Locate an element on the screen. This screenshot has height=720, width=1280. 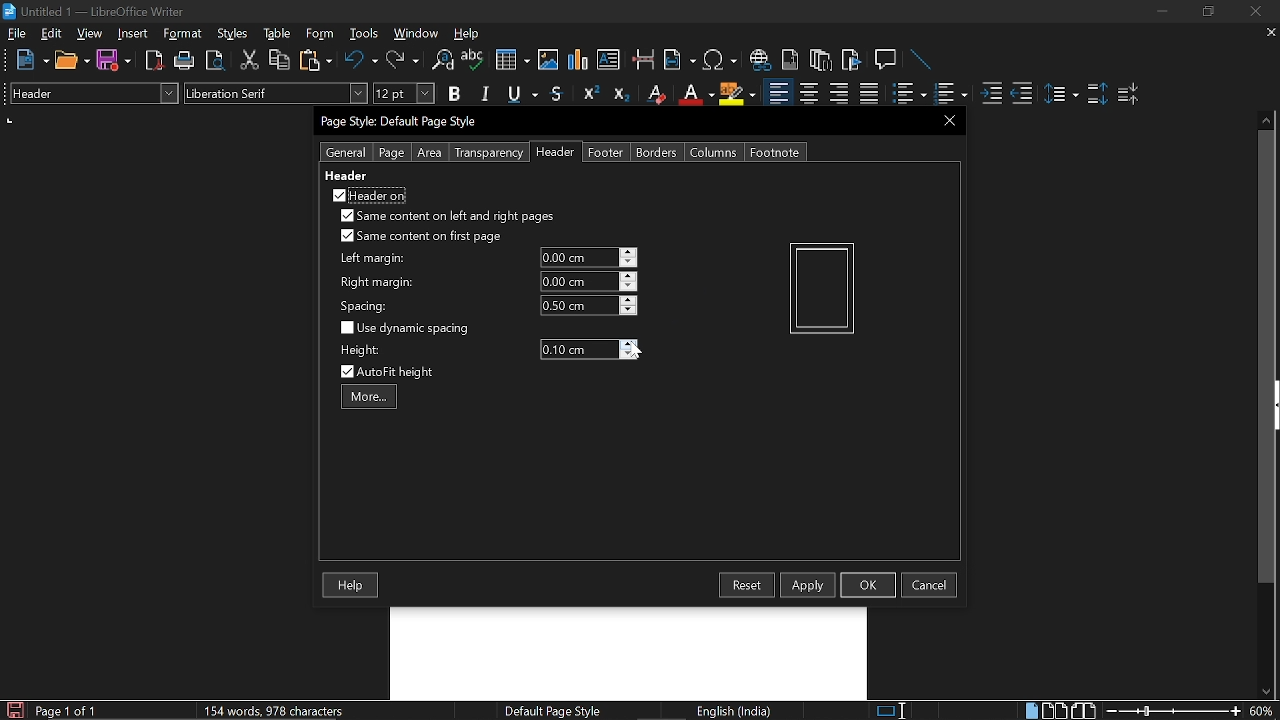
Set line spacing is located at coordinates (1060, 94).